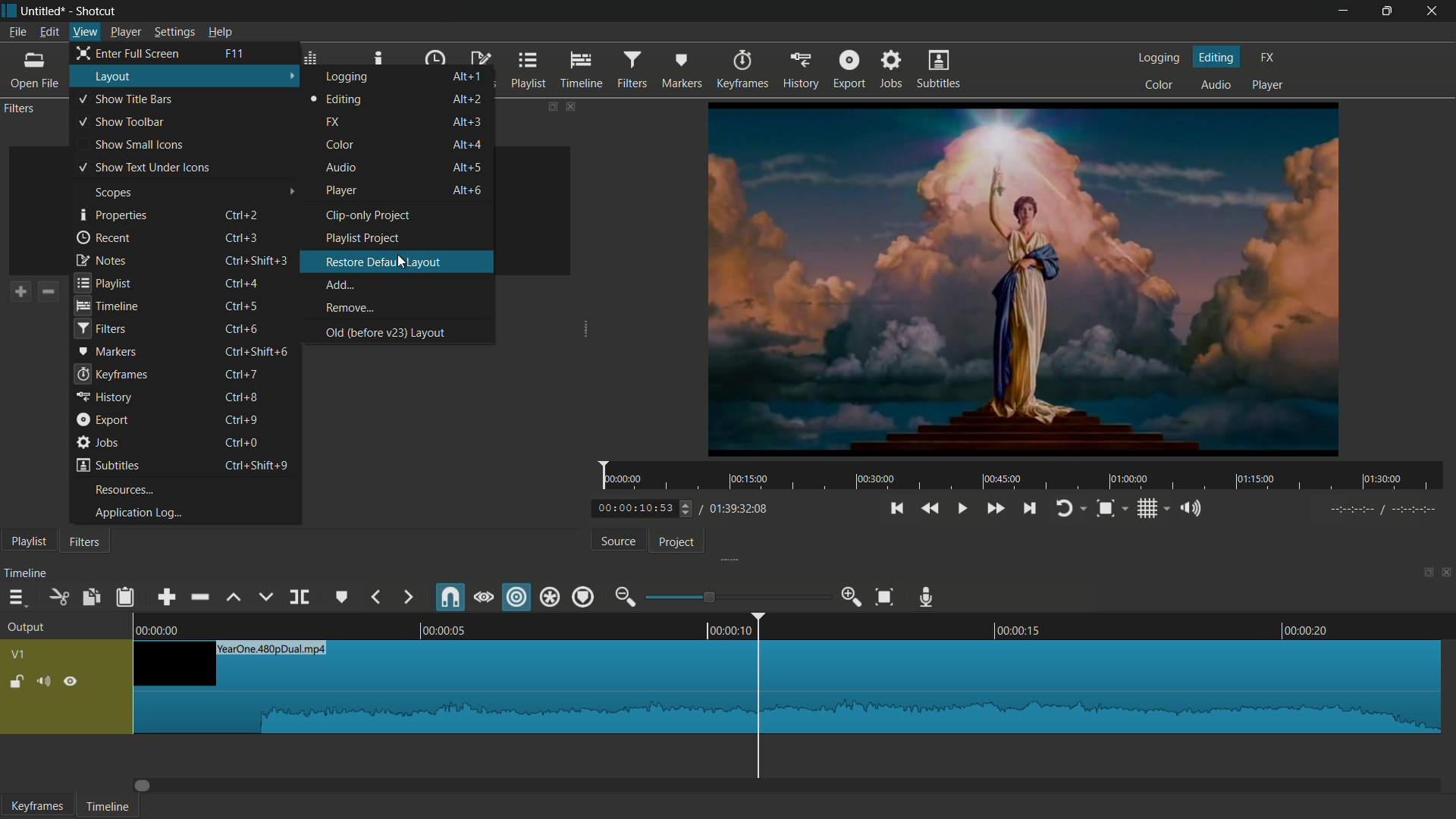 This screenshot has height=819, width=1456. What do you see at coordinates (550, 597) in the screenshot?
I see `ripple all tracks` at bounding box center [550, 597].